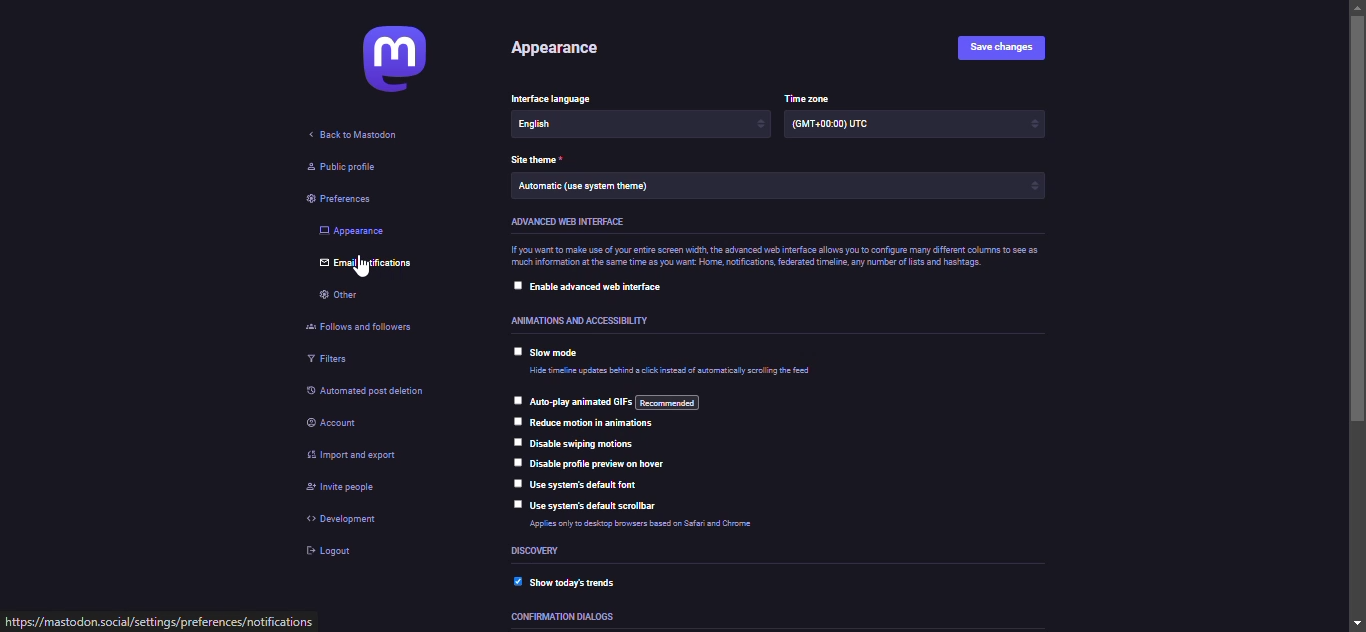 The width and height of the screenshot is (1366, 632). Describe the element at coordinates (611, 463) in the screenshot. I see `disable profile preview on hover` at that location.